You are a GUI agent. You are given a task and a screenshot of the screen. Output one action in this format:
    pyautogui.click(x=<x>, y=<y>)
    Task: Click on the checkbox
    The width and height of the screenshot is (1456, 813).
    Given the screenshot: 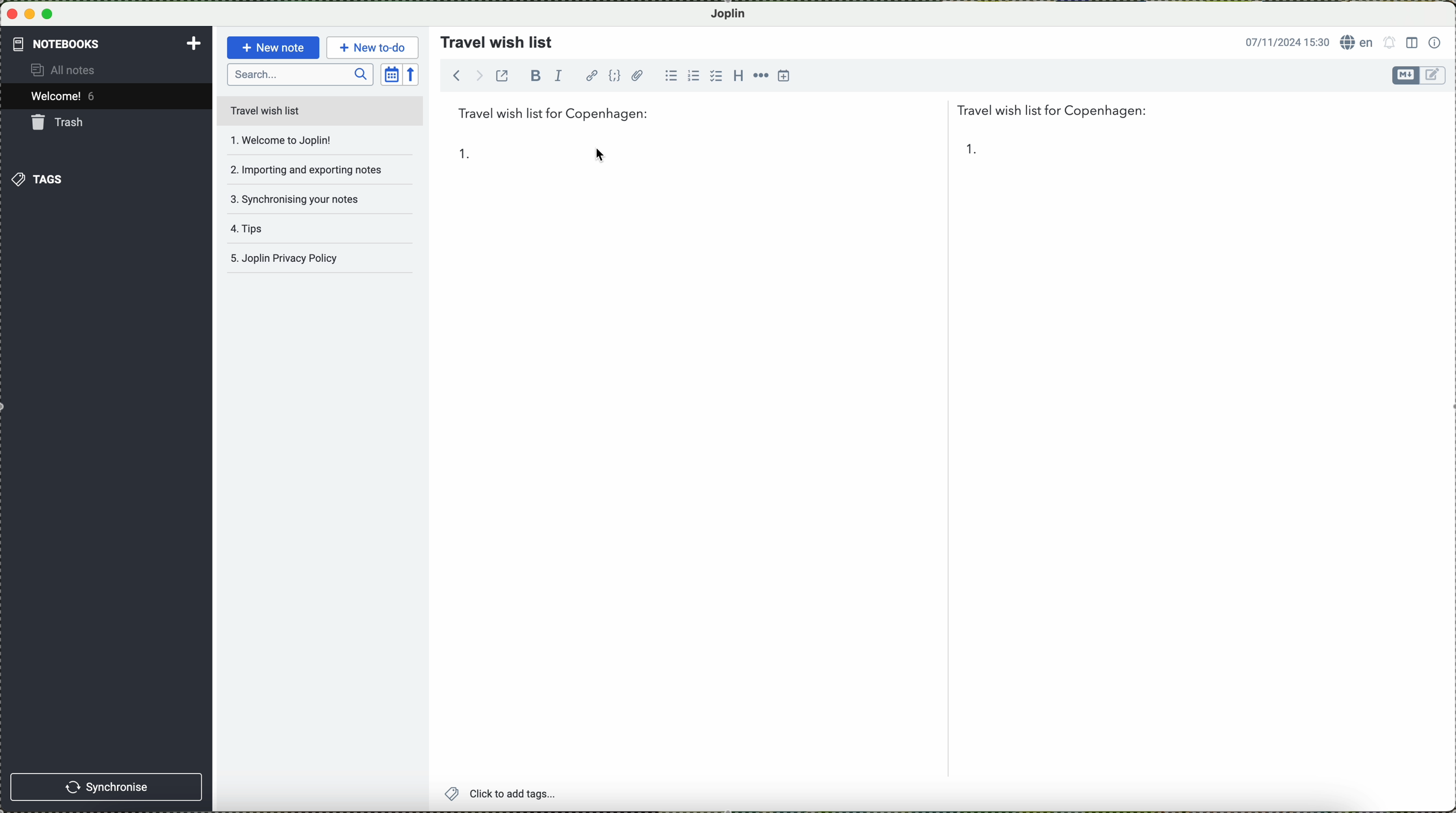 What is the action you would take?
    pyautogui.click(x=714, y=76)
    